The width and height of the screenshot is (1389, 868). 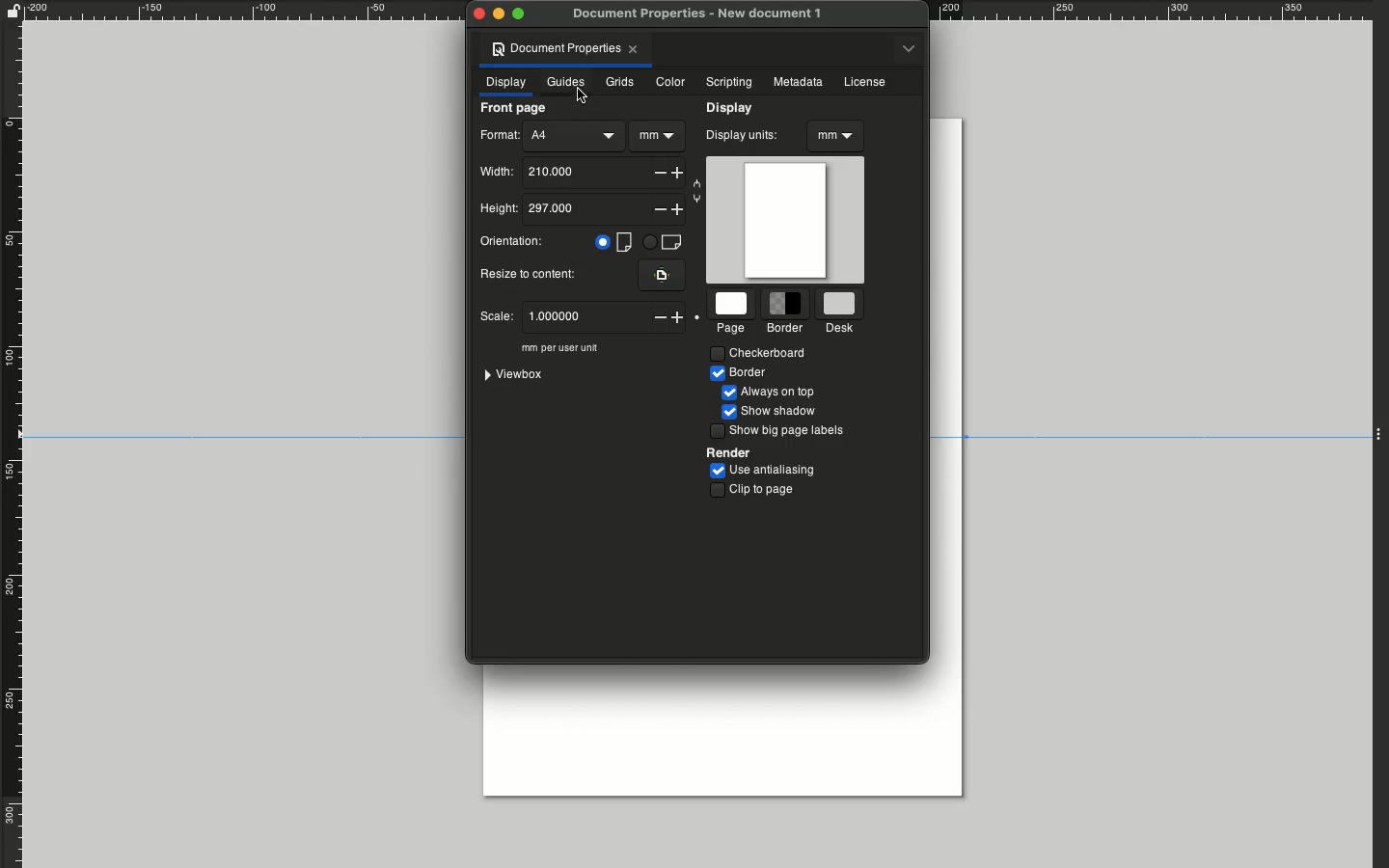 I want to click on Metadata, so click(x=799, y=83).